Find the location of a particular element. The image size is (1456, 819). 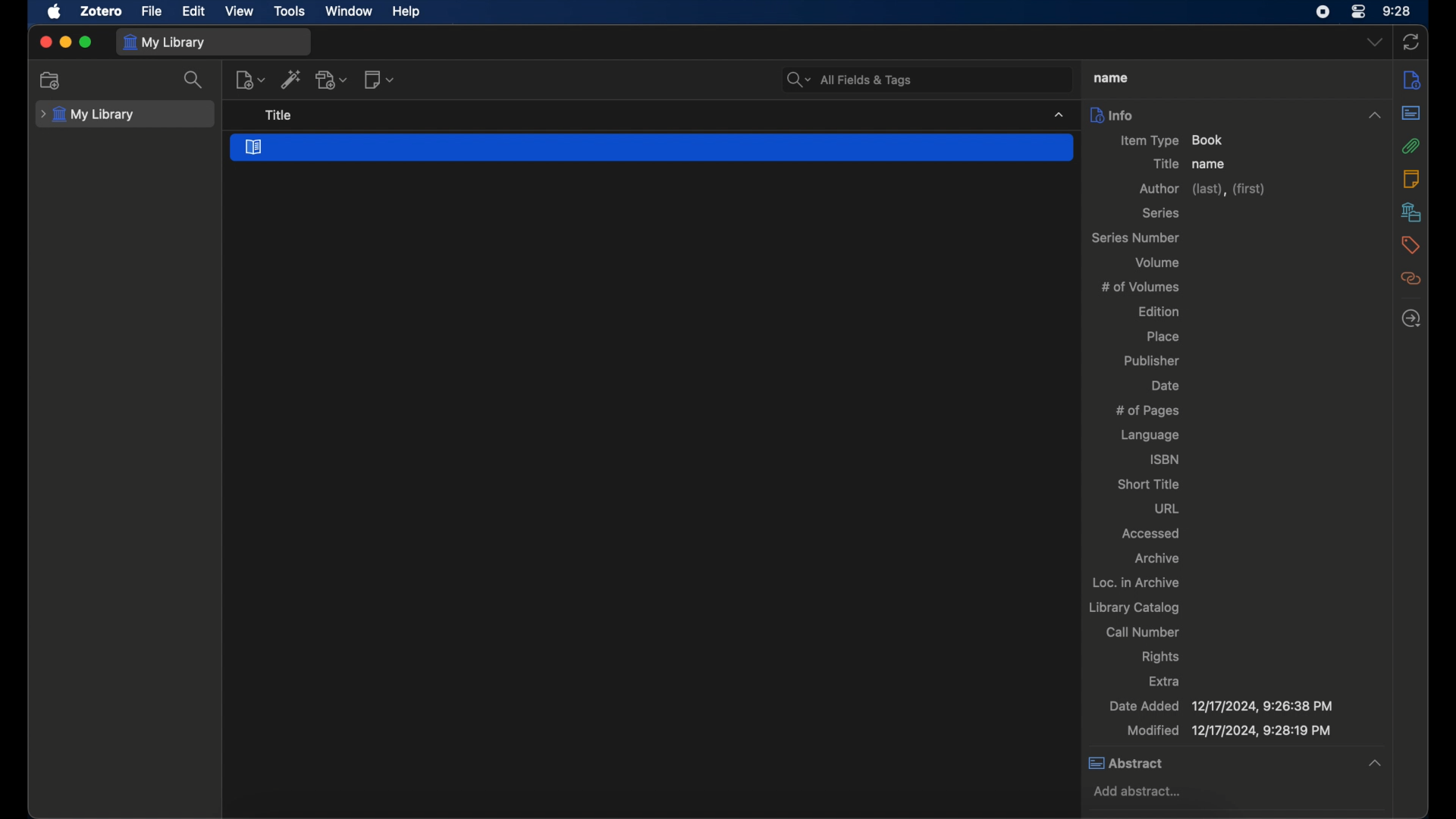

short title is located at coordinates (1148, 484).